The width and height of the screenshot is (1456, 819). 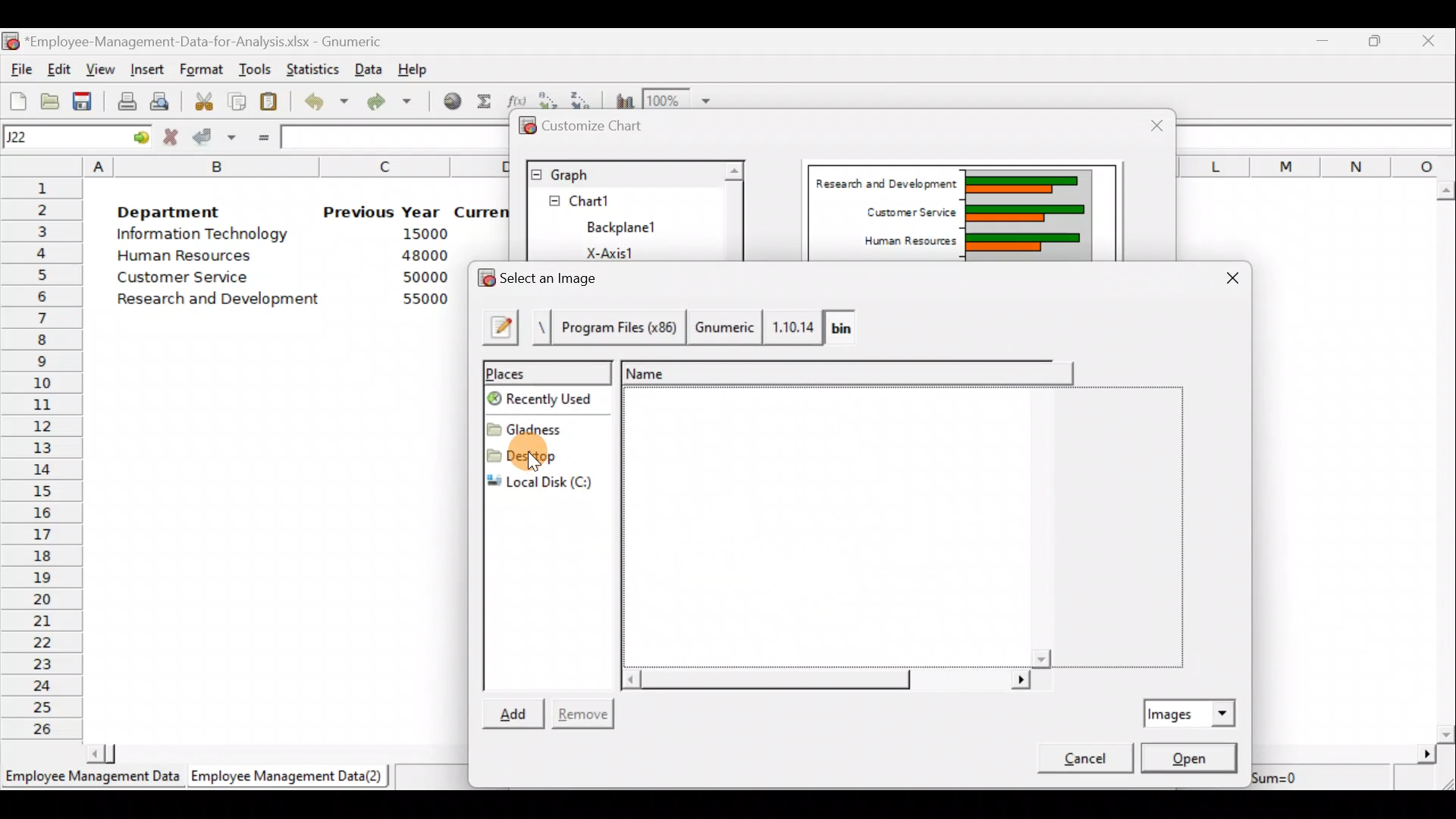 What do you see at coordinates (904, 212) in the screenshot?
I see `Customer Service` at bounding box center [904, 212].